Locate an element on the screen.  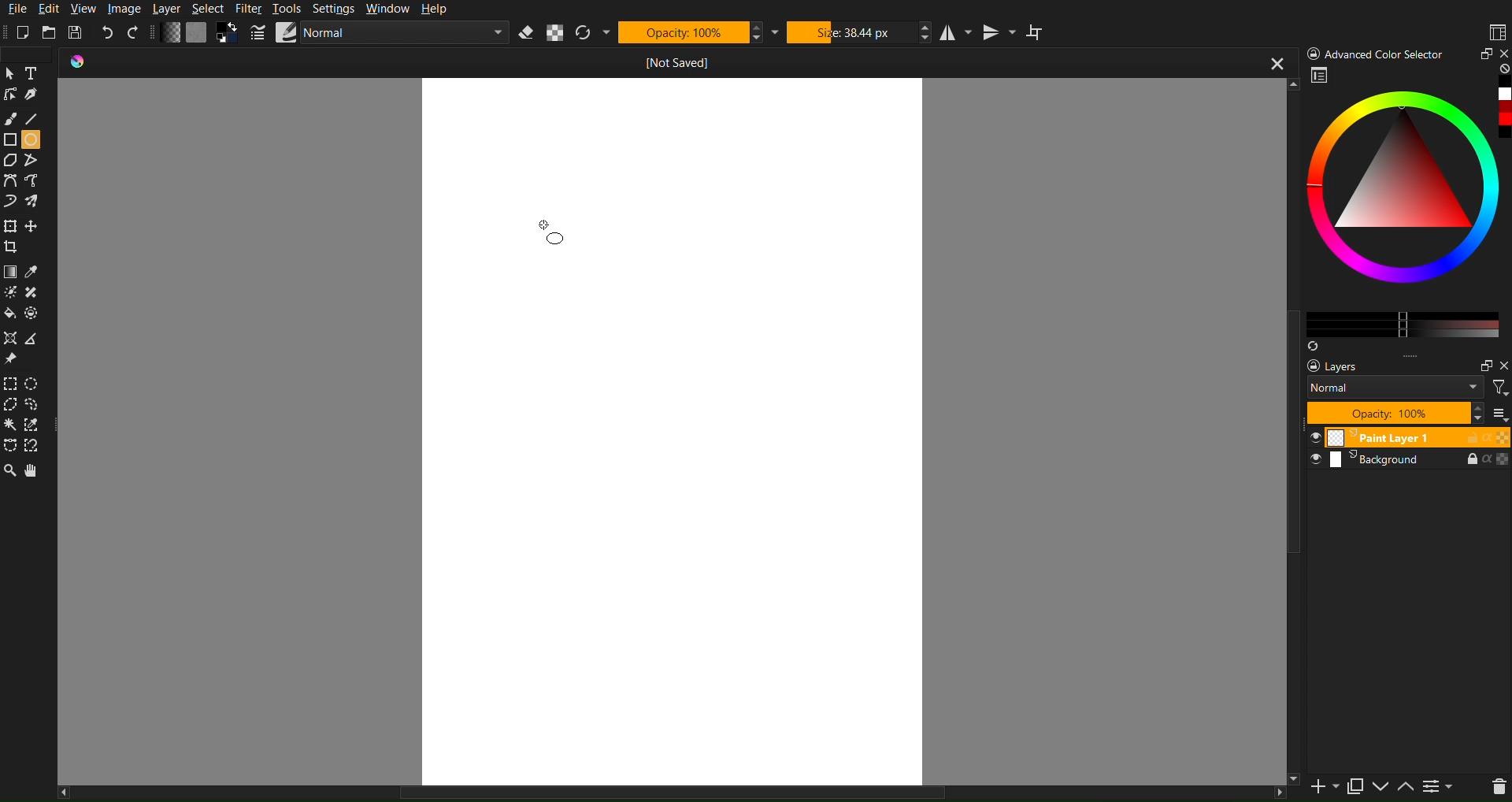
Layer is located at coordinates (169, 8).